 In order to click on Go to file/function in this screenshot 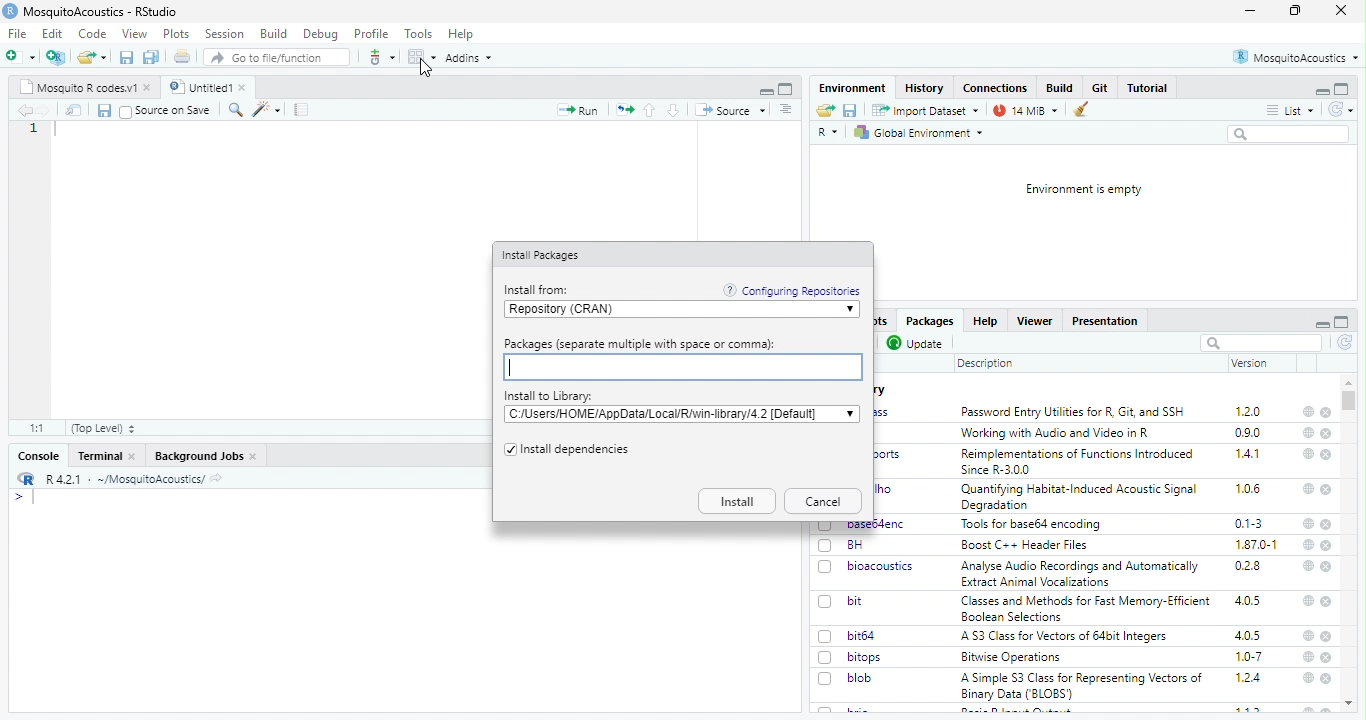, I will do `click(275, 57)`.